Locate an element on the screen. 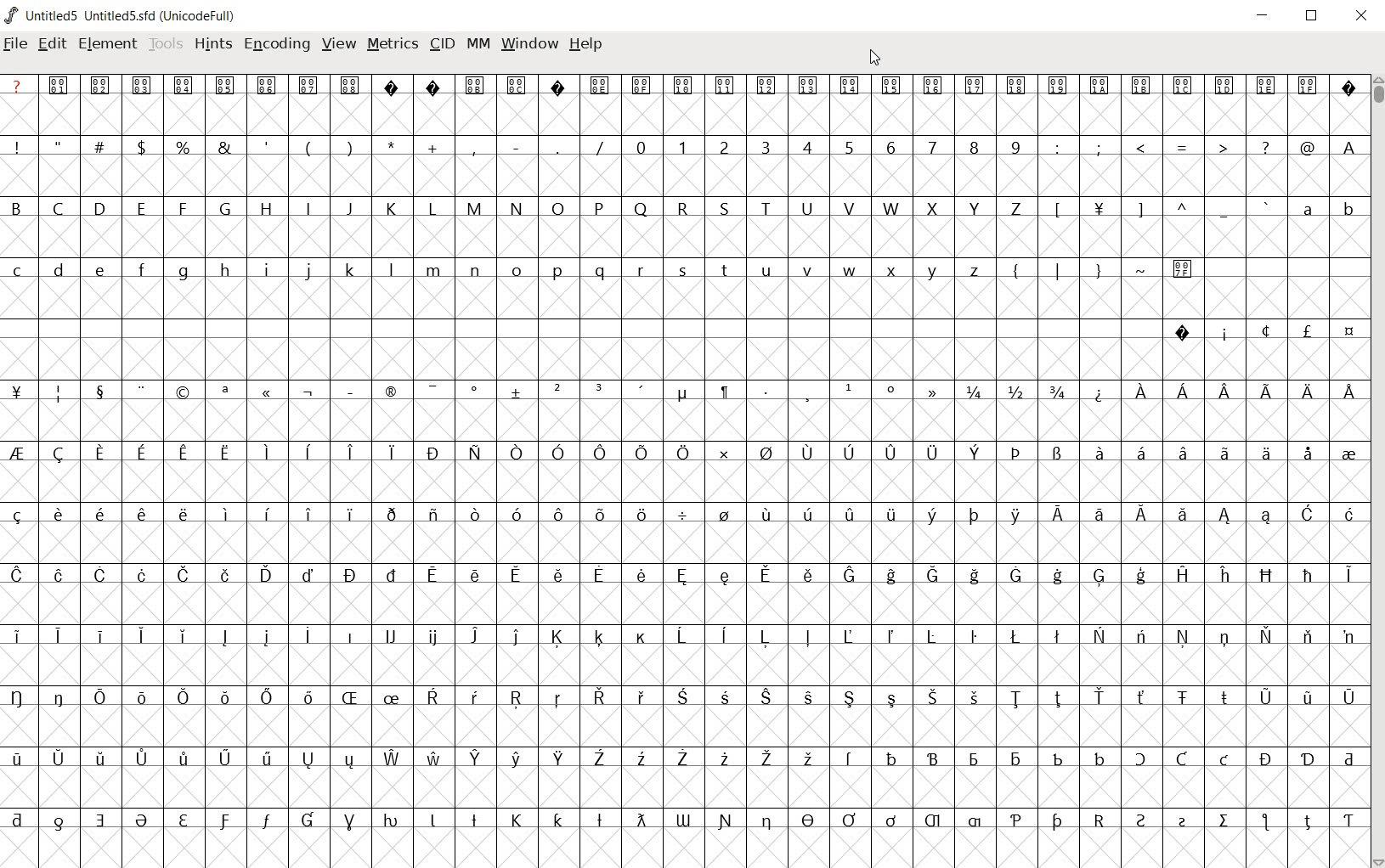 This screenshot has height=868, width=1385. Symbol is located at coordinates (1141, 577).